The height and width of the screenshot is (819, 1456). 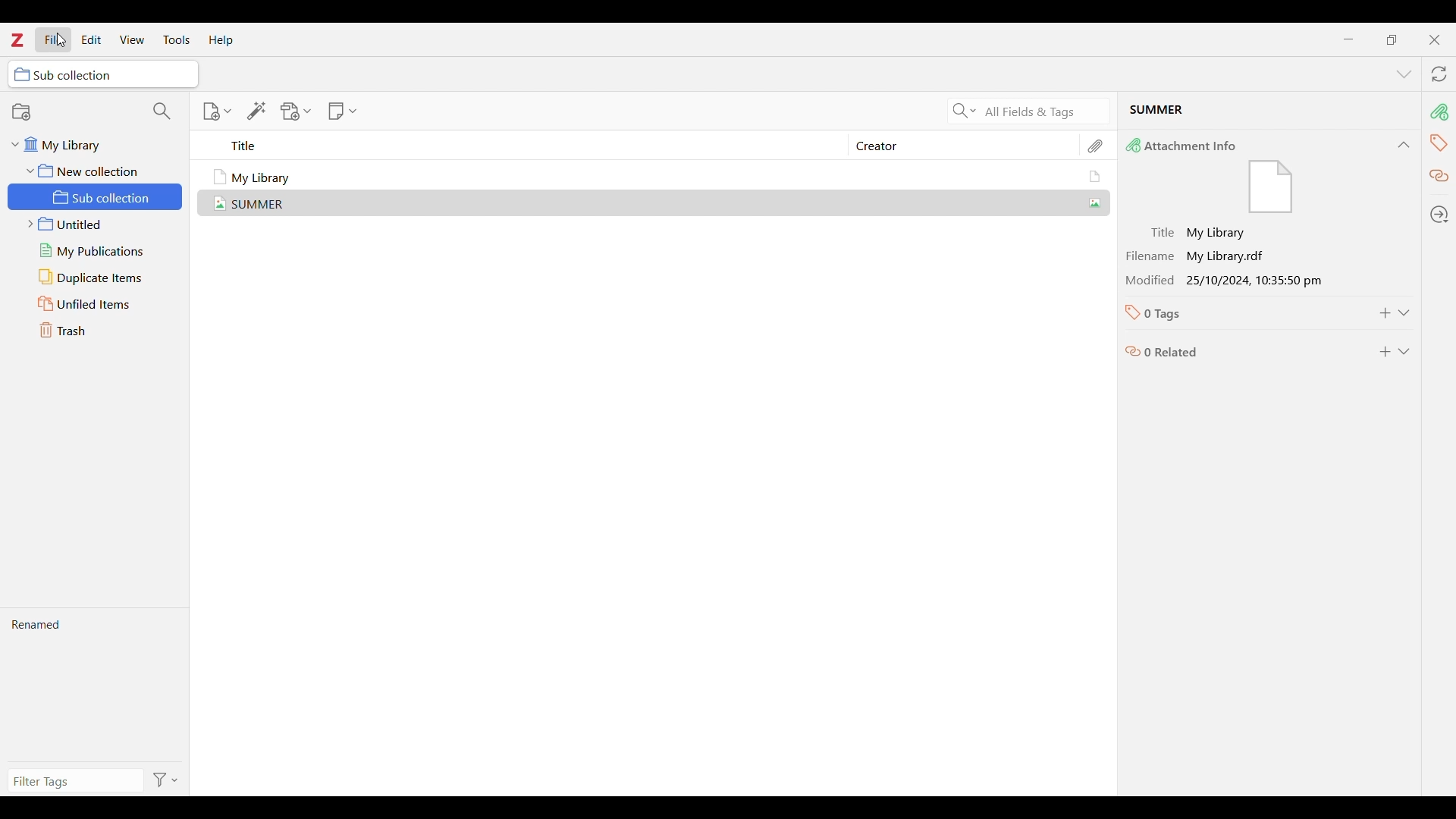 What do you see at coordinates (1404, 352) in the screenshot?
I see `Expand` at bounding box center [1404, 352].